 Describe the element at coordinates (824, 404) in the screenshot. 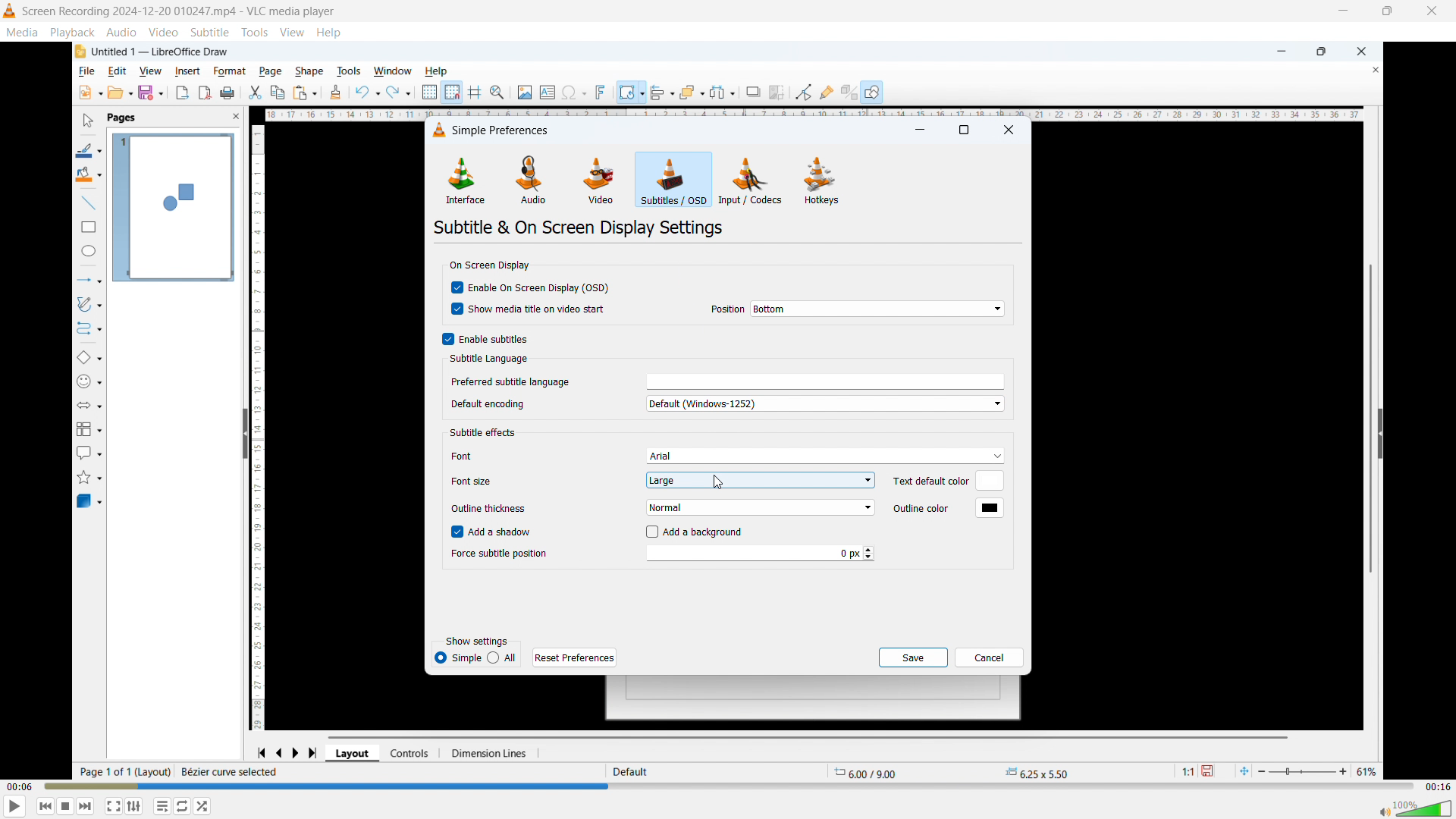

I see `Default encoding` at that location.